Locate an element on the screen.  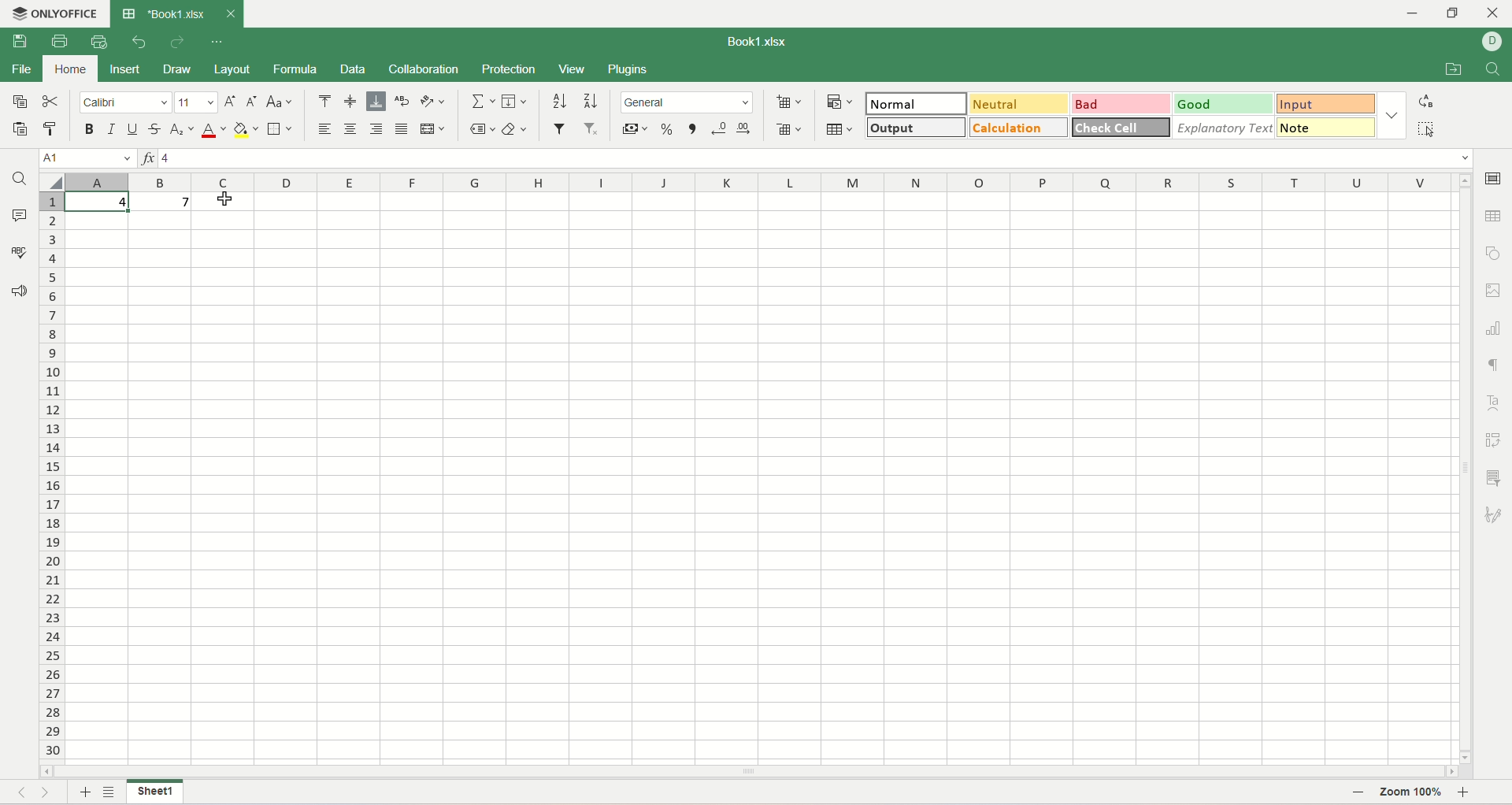
calibri is located at coordinates (125, 102).